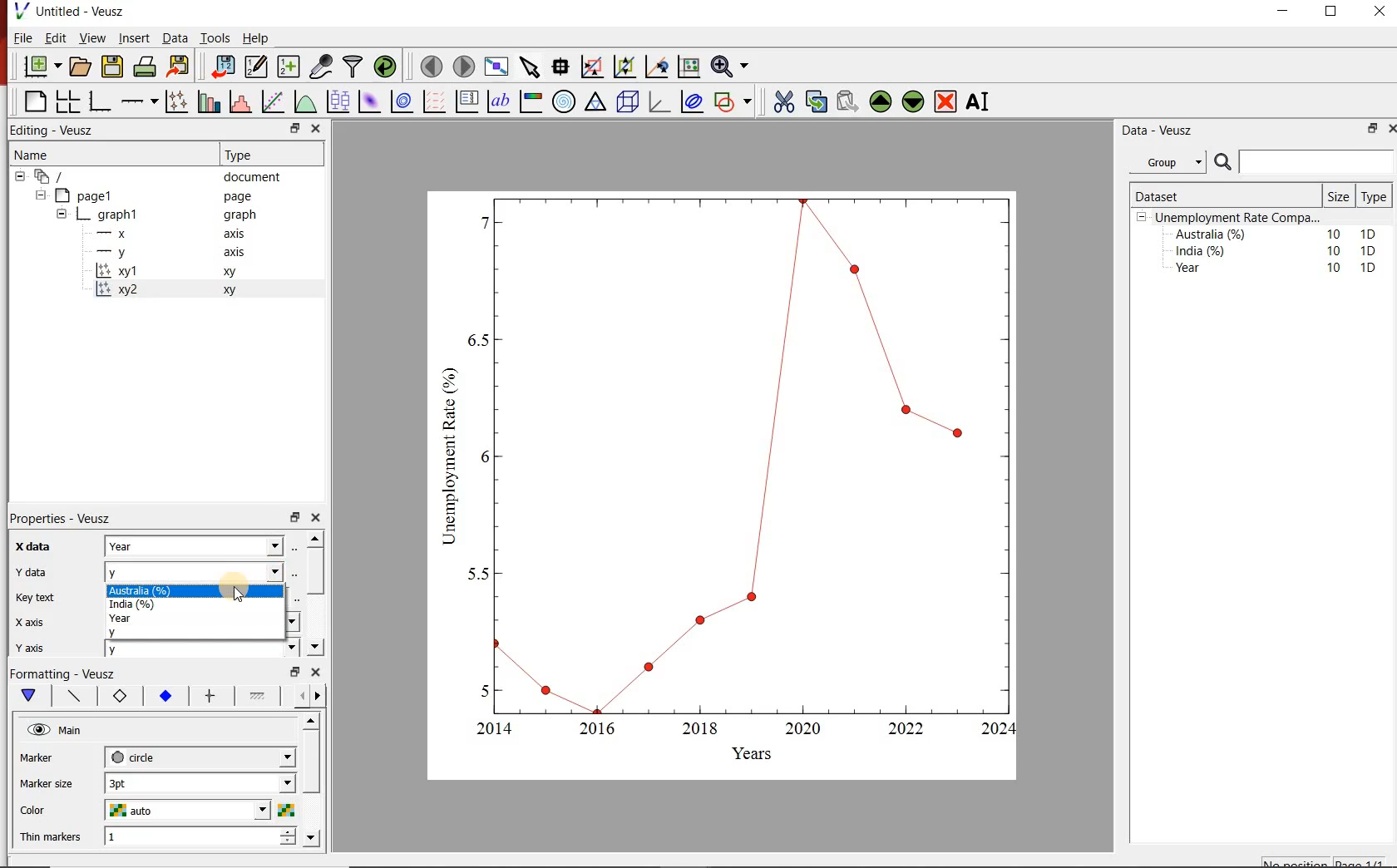 Image resolution: width=1397 pixels, height=868 pixels. Describe the element at coordinates (119, 697) in the screenshot. I see `marker border` at that location.